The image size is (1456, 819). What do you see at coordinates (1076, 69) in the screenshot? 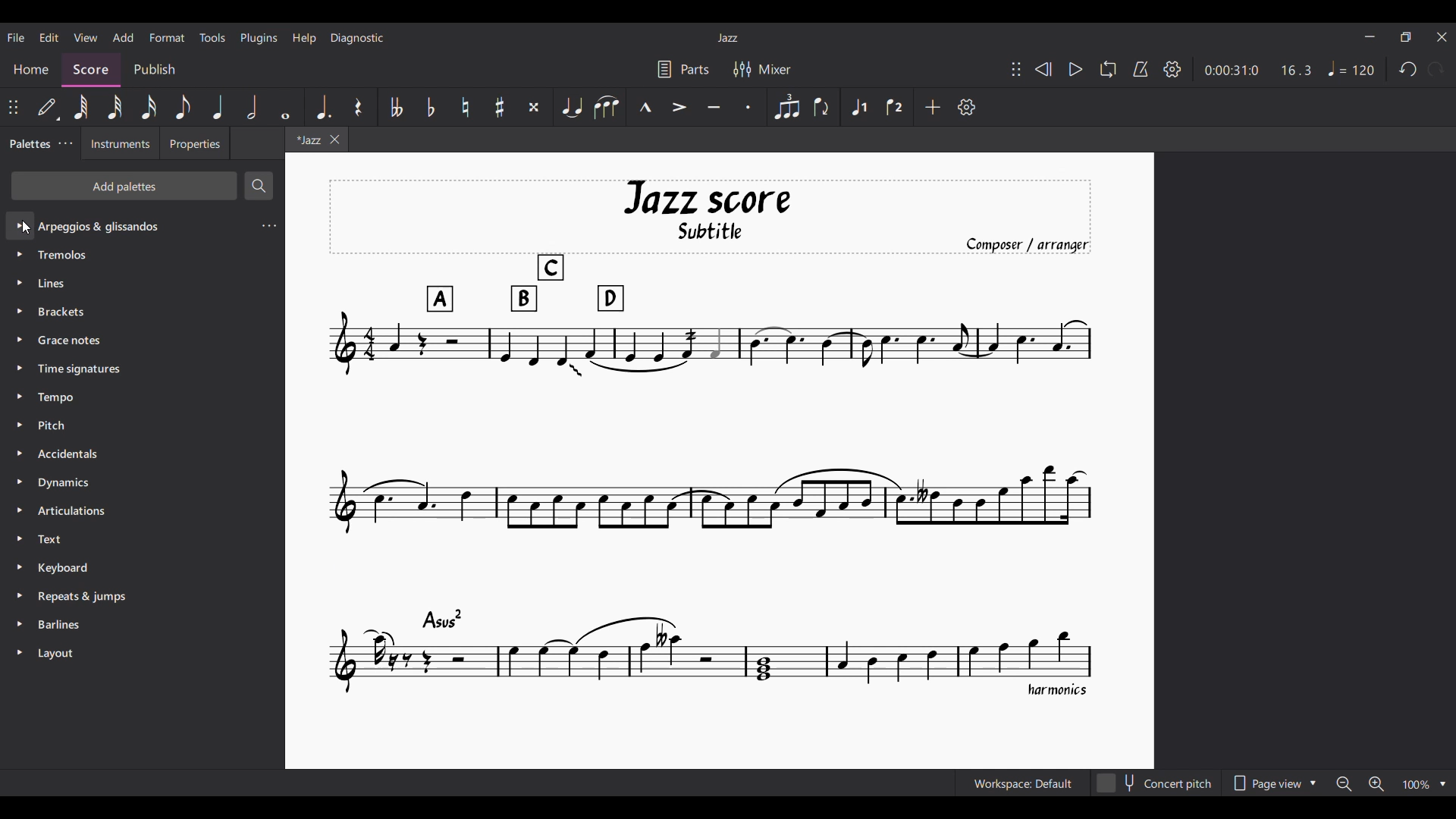
I see `Play` at bounding box center [1076, 69].